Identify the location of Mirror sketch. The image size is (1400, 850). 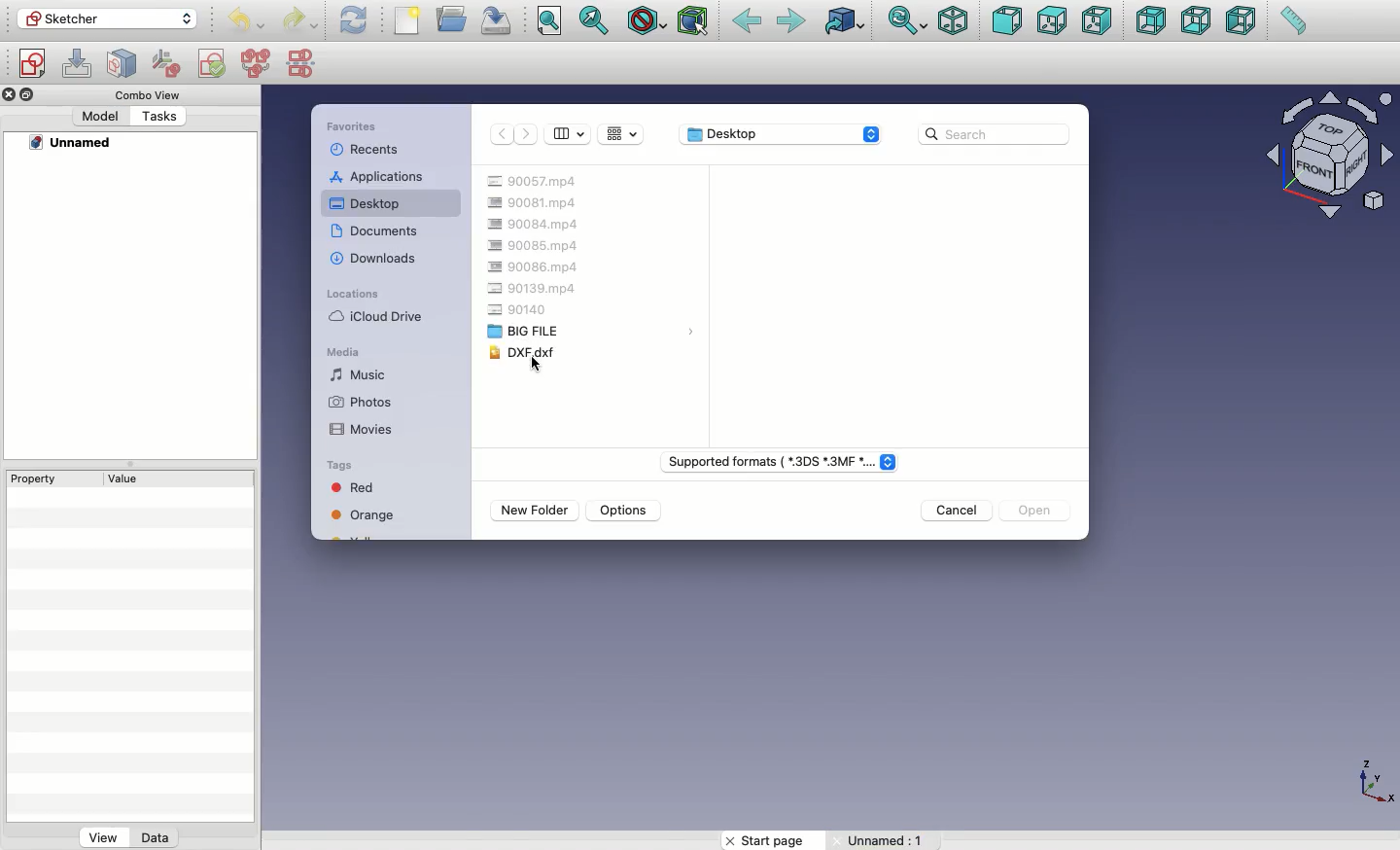
(303, 64).